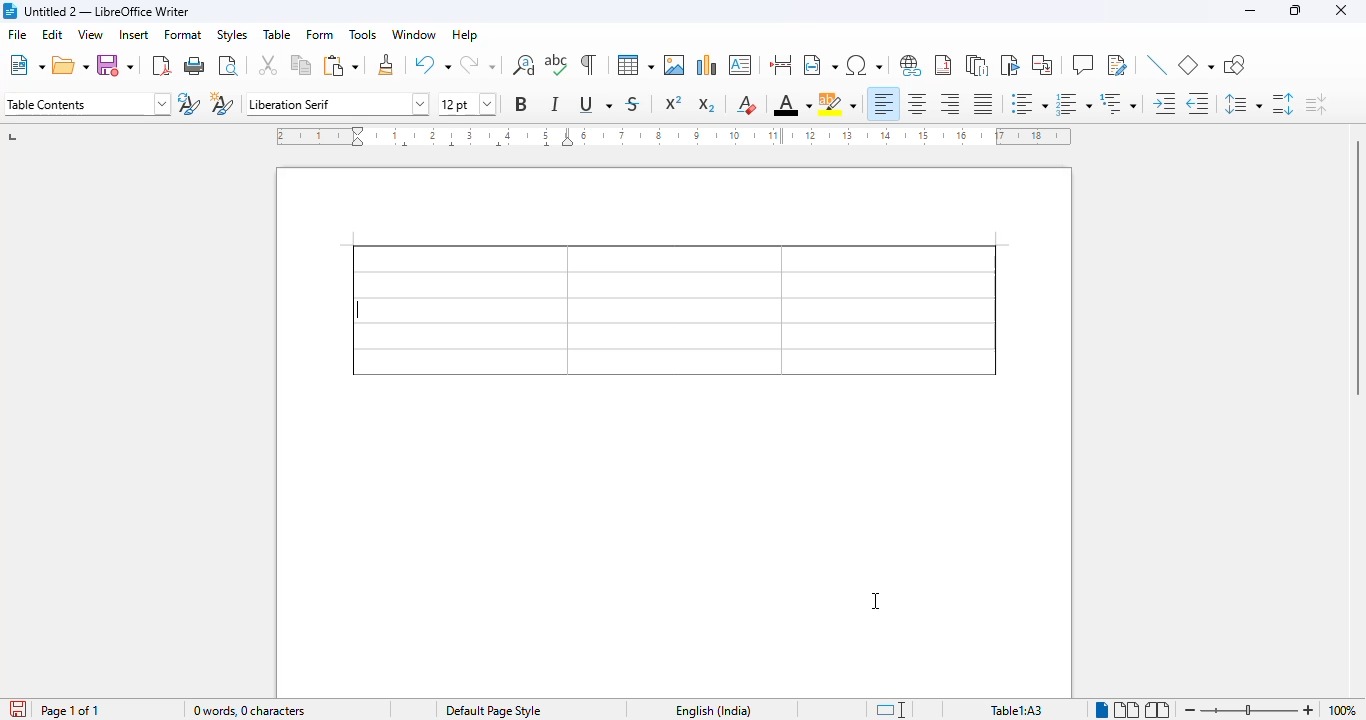 The width and height of the screenshot is (1366, 720). Describe the element at coordinates (184, 34) in the screenshot. I see `format` at that location.